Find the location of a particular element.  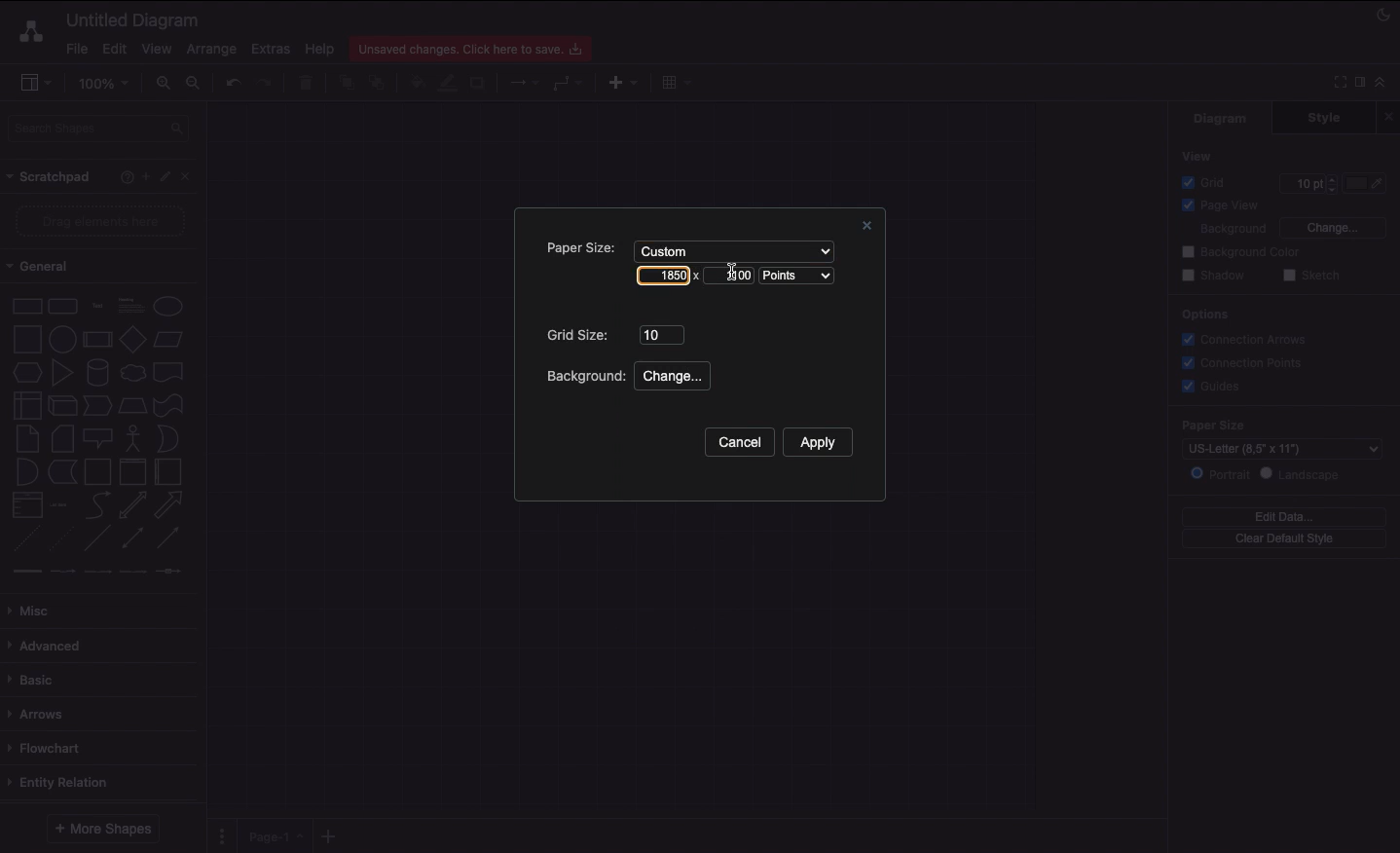

connector 5 is located at coordinates (170, 571).